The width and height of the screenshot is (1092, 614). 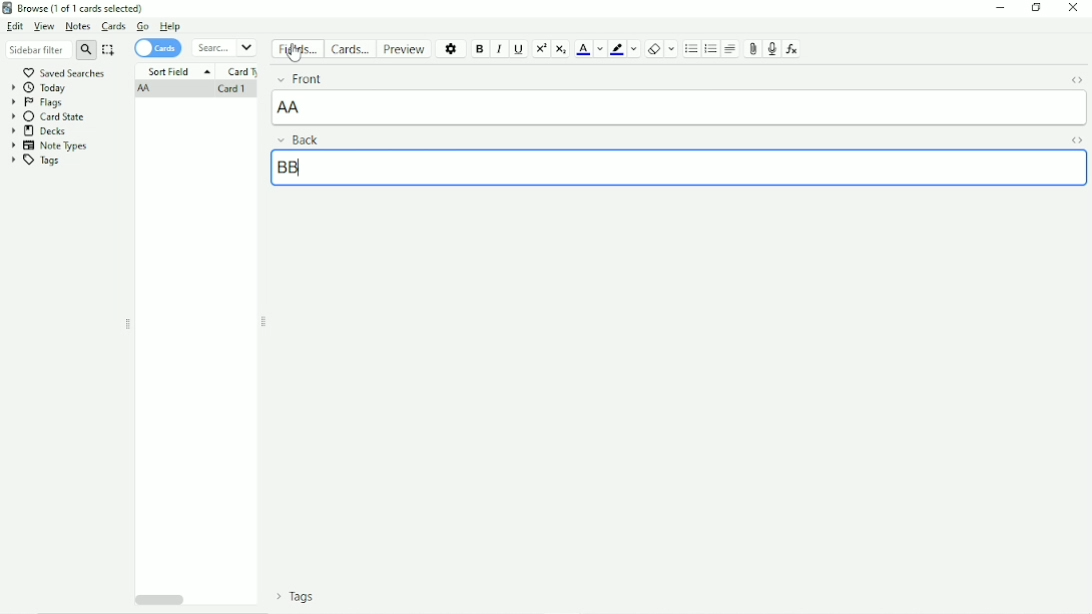 I want to click on Help, so click(x=170, y=26).